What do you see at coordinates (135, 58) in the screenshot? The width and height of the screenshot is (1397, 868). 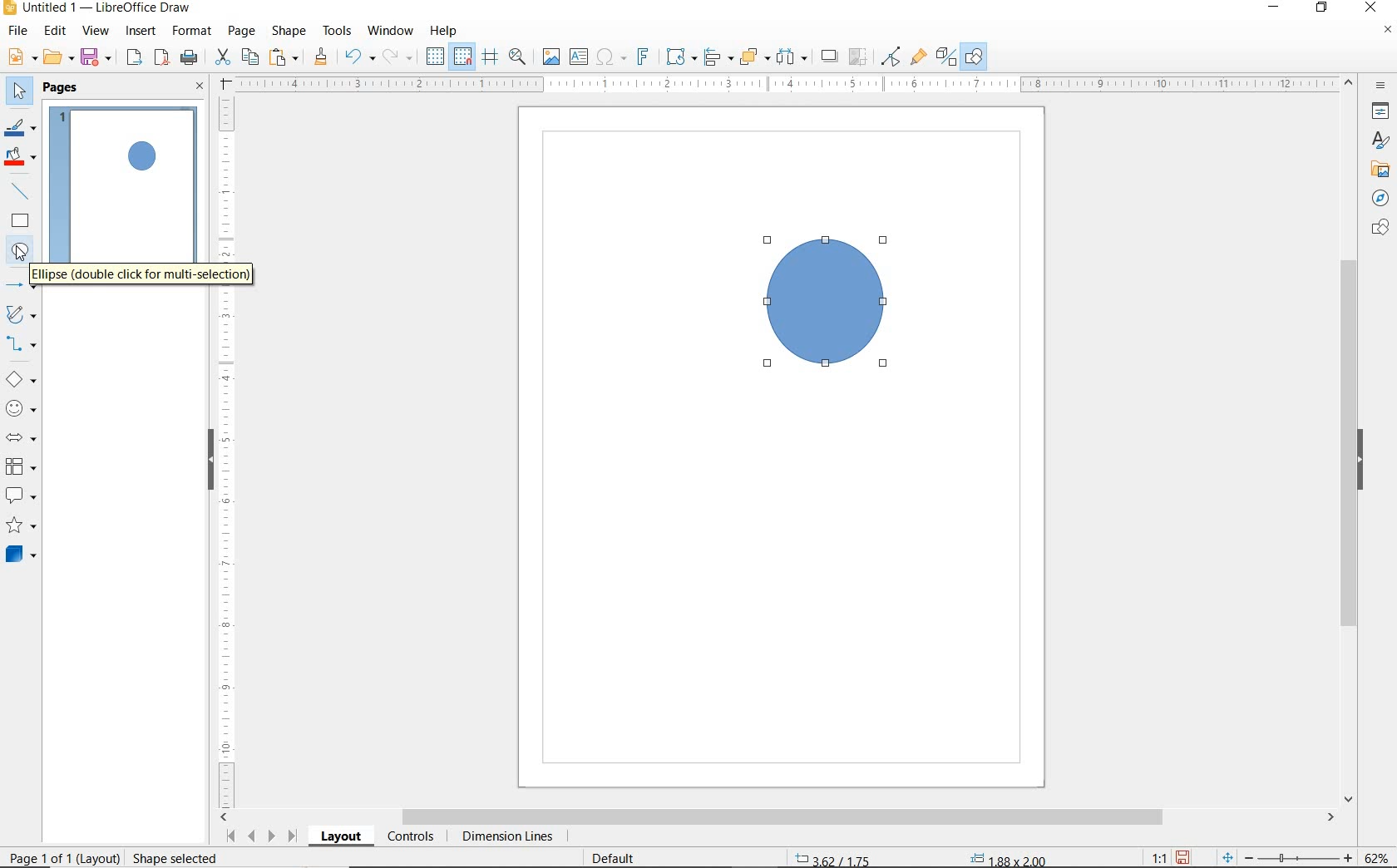 I see `EXPORT` at bounding box center [135, 58].